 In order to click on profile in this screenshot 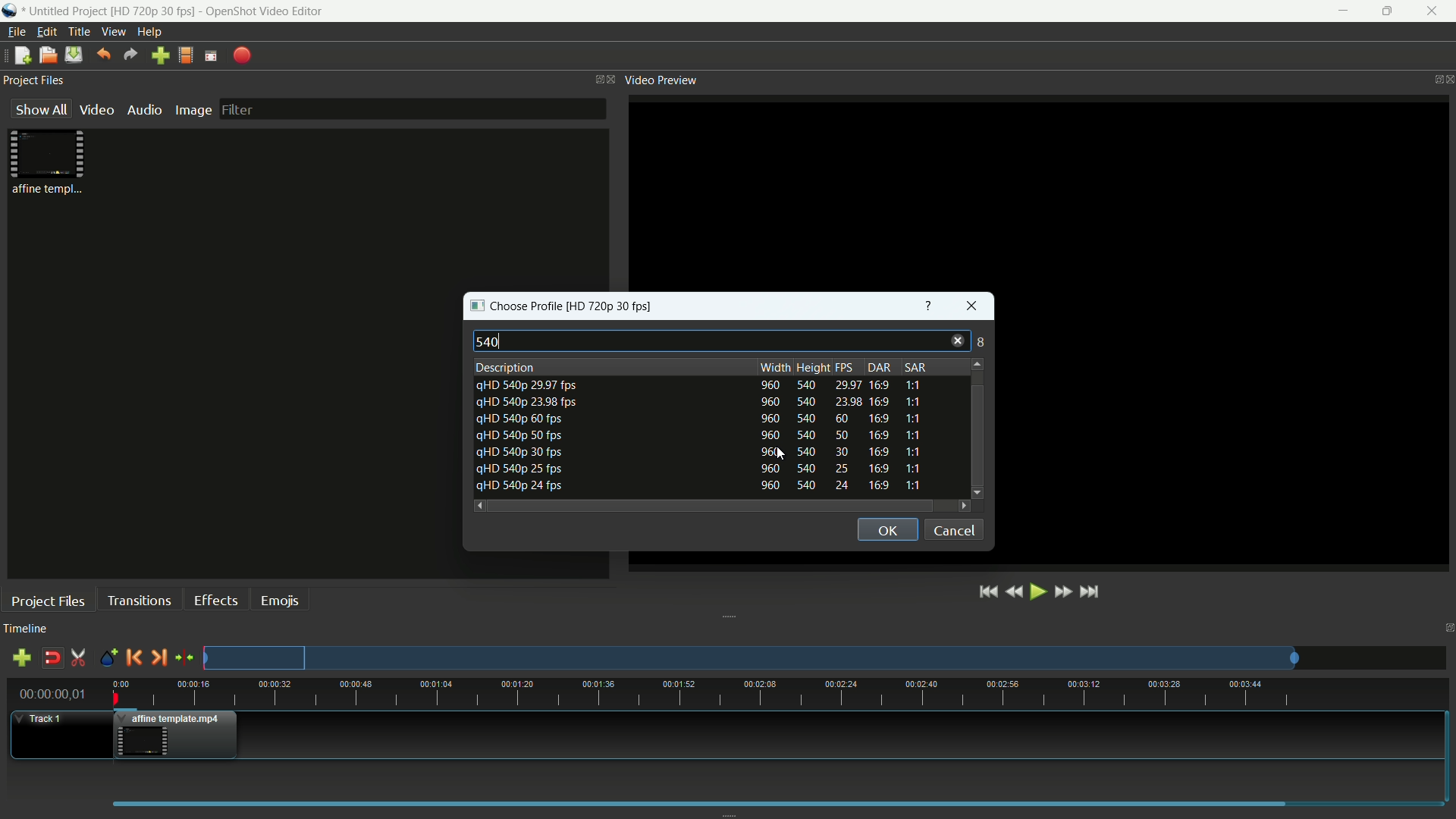, I will do `click(187, 57)`.